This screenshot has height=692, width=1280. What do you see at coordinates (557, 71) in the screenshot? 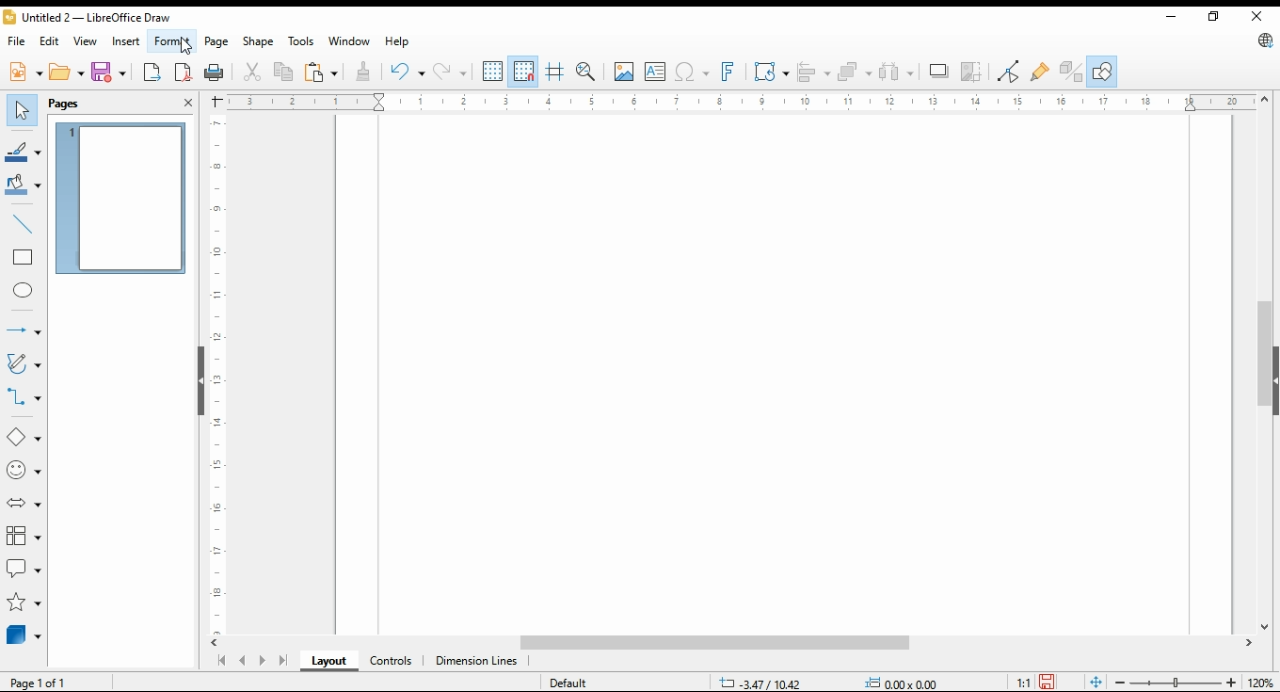
I see `helplines while moving` at bounding box center [557, 71].